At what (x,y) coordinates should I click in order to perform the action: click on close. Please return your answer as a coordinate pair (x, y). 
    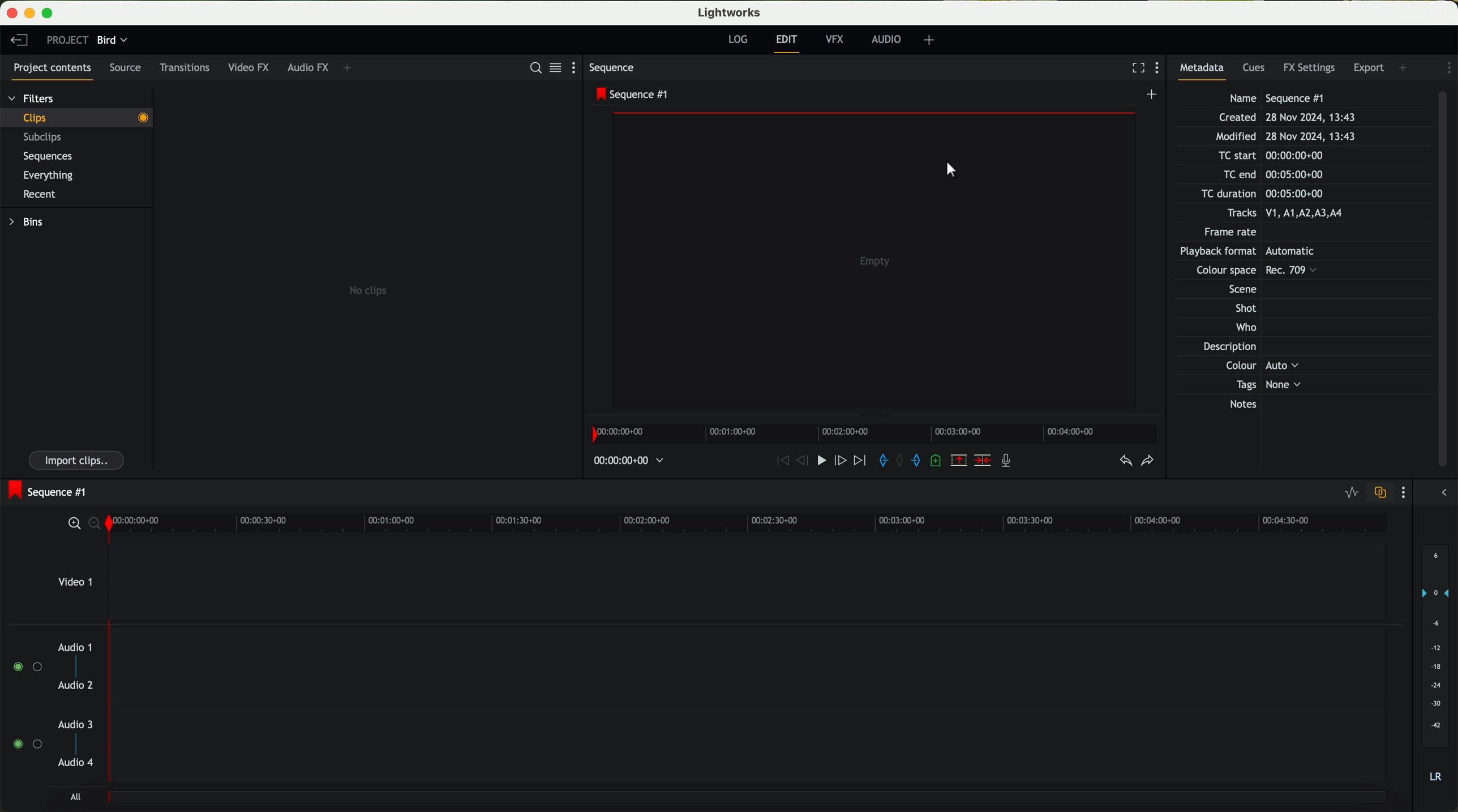
    Looking at the image, I should click on (9, 9).